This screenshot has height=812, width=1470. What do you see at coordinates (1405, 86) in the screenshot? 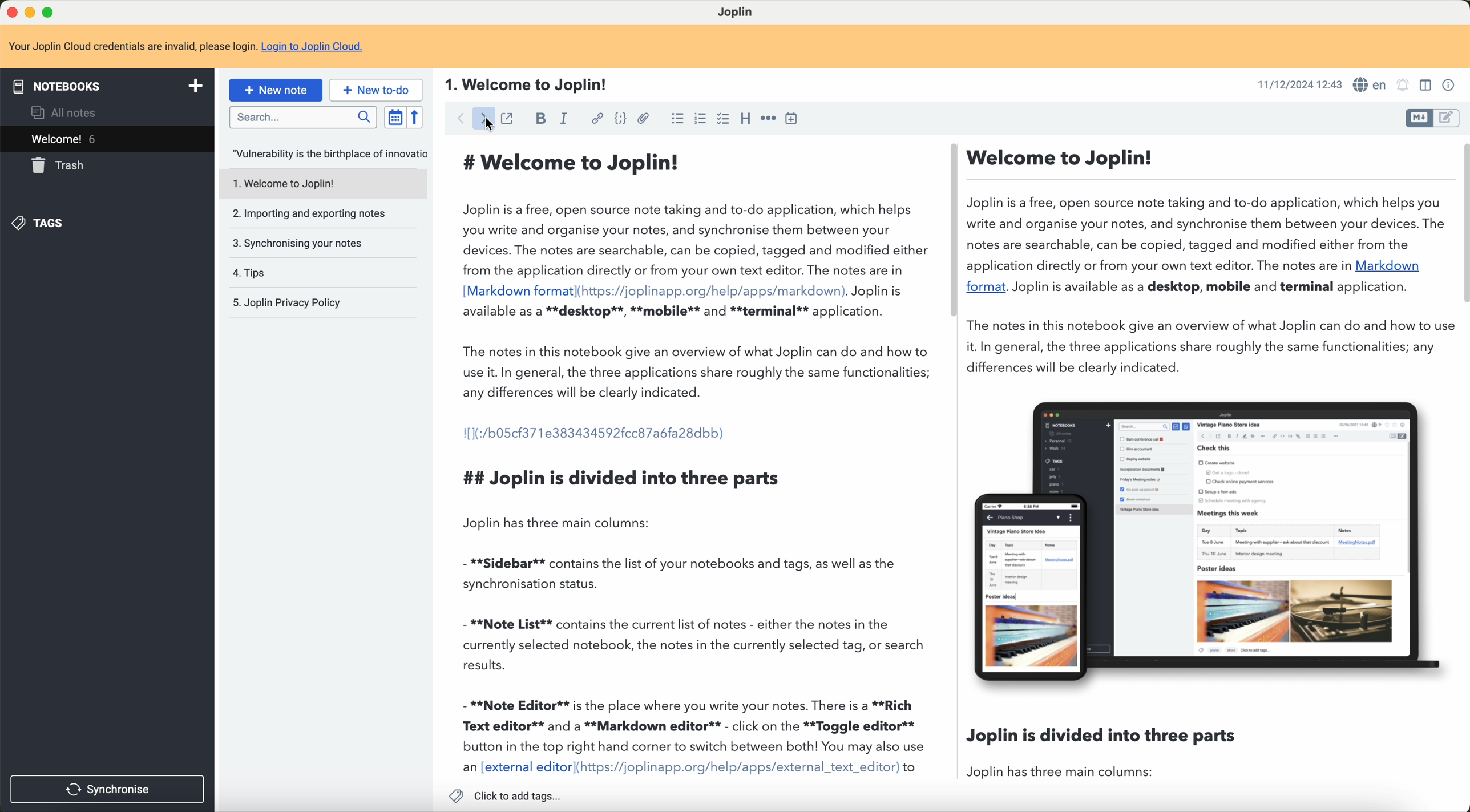
I see `set alarm` at bounding box center [1405, 86].